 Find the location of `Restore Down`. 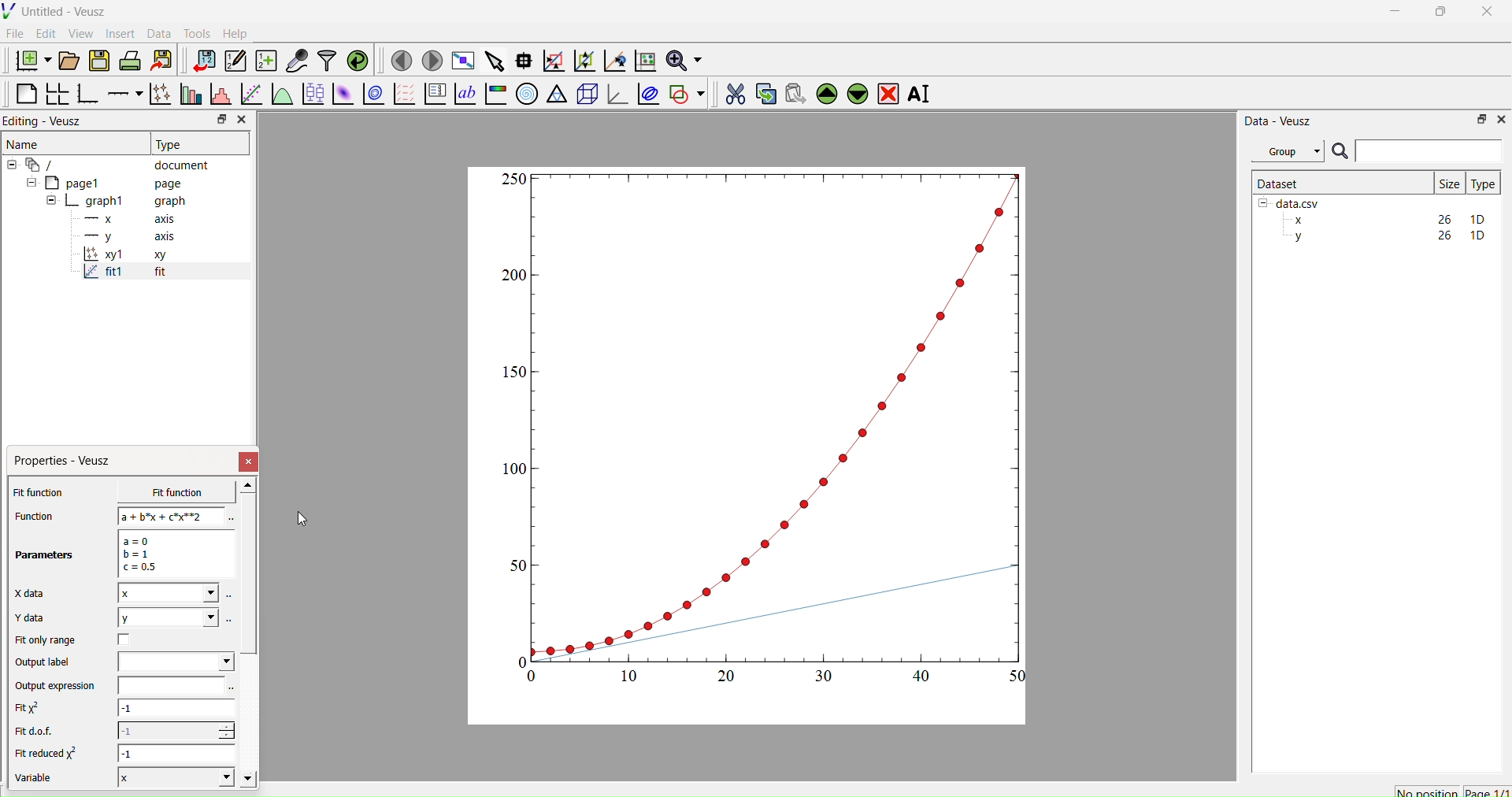

Restore Down is located at coordinates (1437, 13).